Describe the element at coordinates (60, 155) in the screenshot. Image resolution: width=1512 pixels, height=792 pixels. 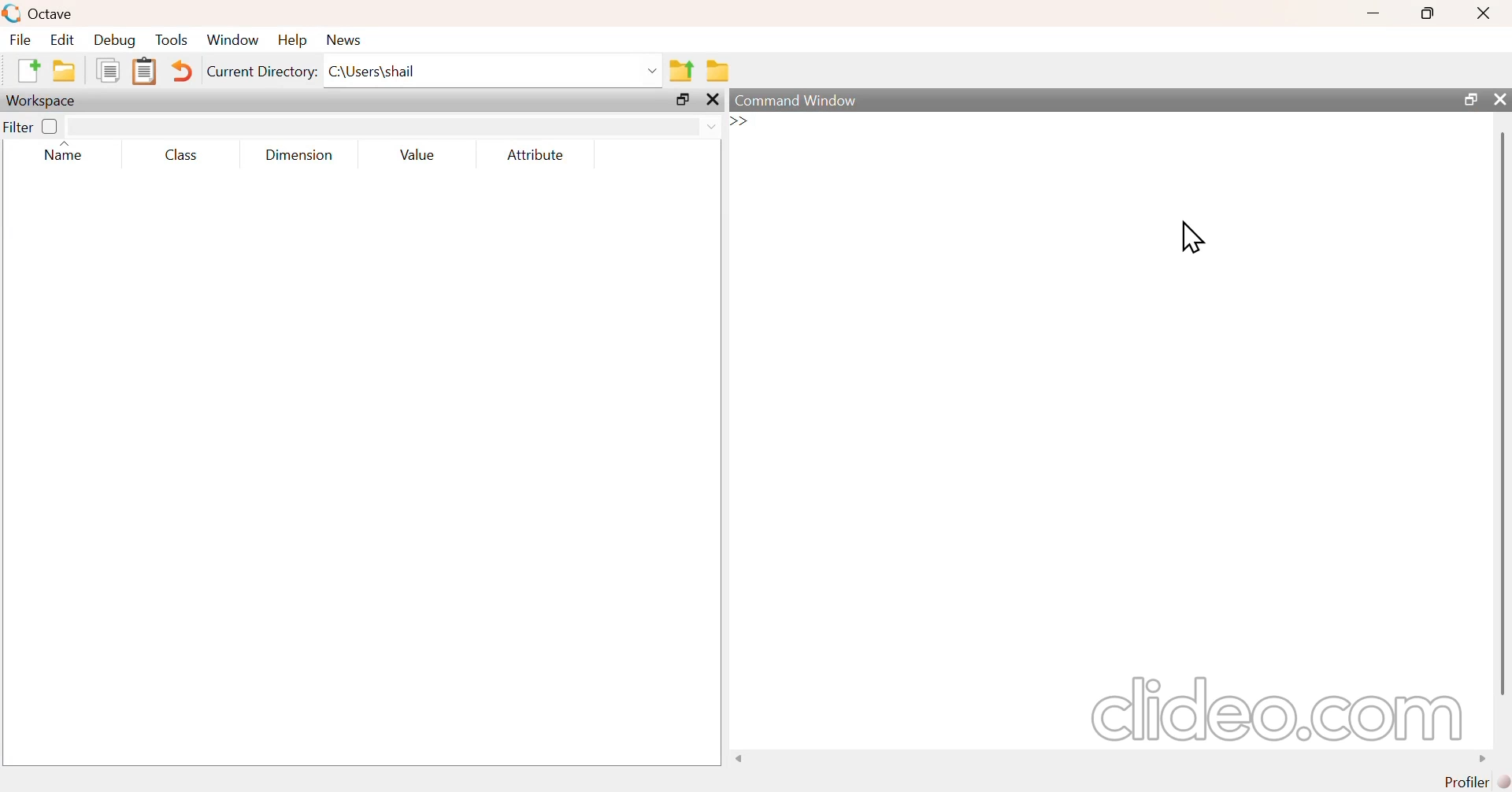
I see `name` at that location.